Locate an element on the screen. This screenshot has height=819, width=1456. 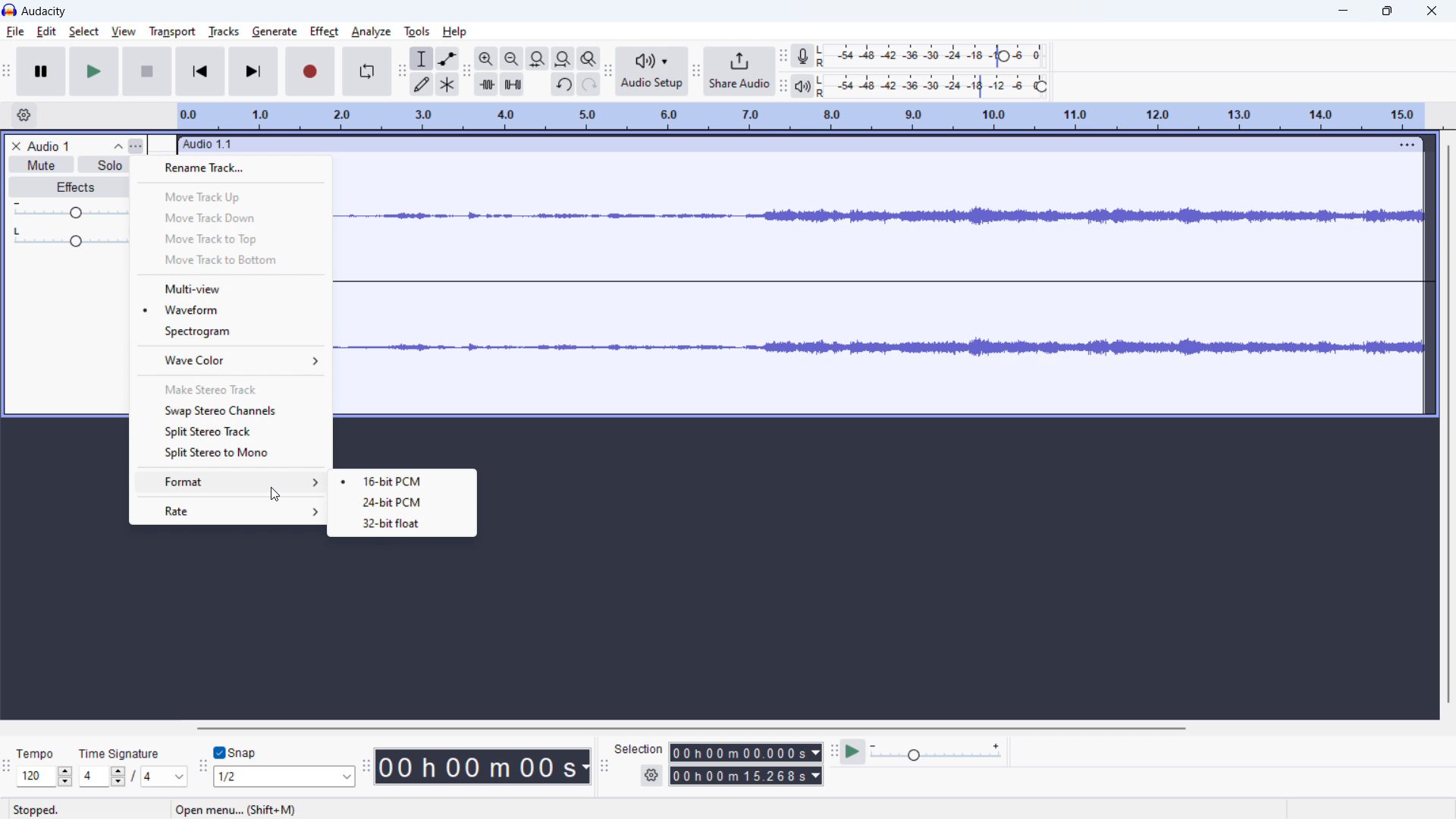
multi tool is located at coordinates (447, 84).